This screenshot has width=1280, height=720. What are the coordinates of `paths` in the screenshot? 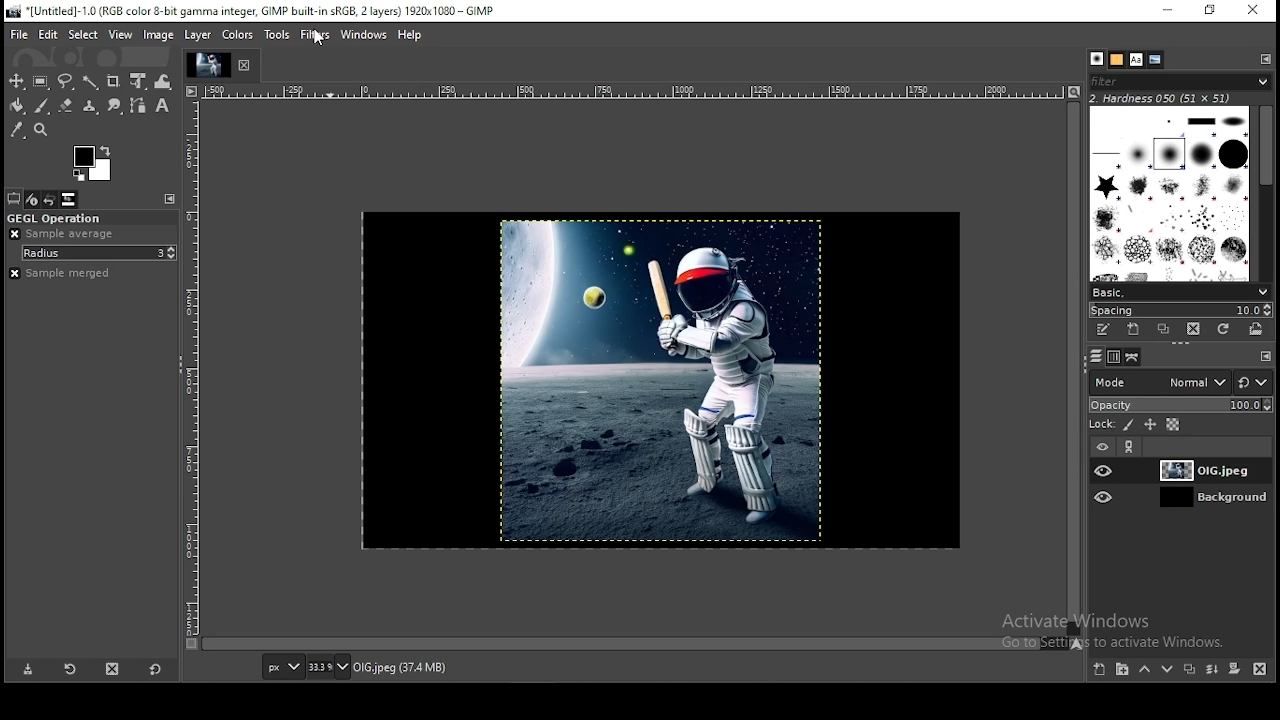 It's located at (1132, 357).